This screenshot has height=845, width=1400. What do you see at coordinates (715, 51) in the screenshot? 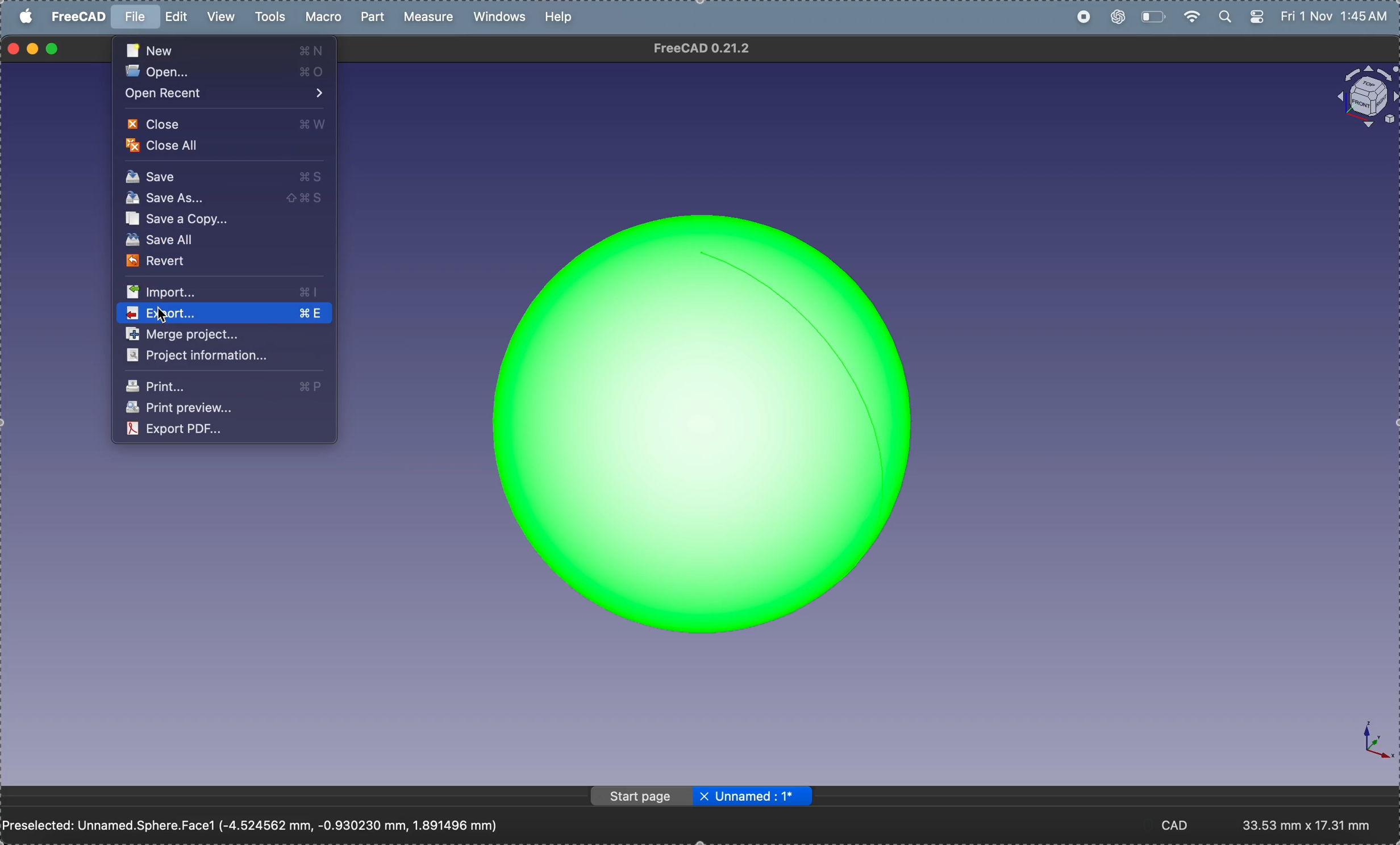
I see `free cad 0.21.2` at bounding box center [715, 51].